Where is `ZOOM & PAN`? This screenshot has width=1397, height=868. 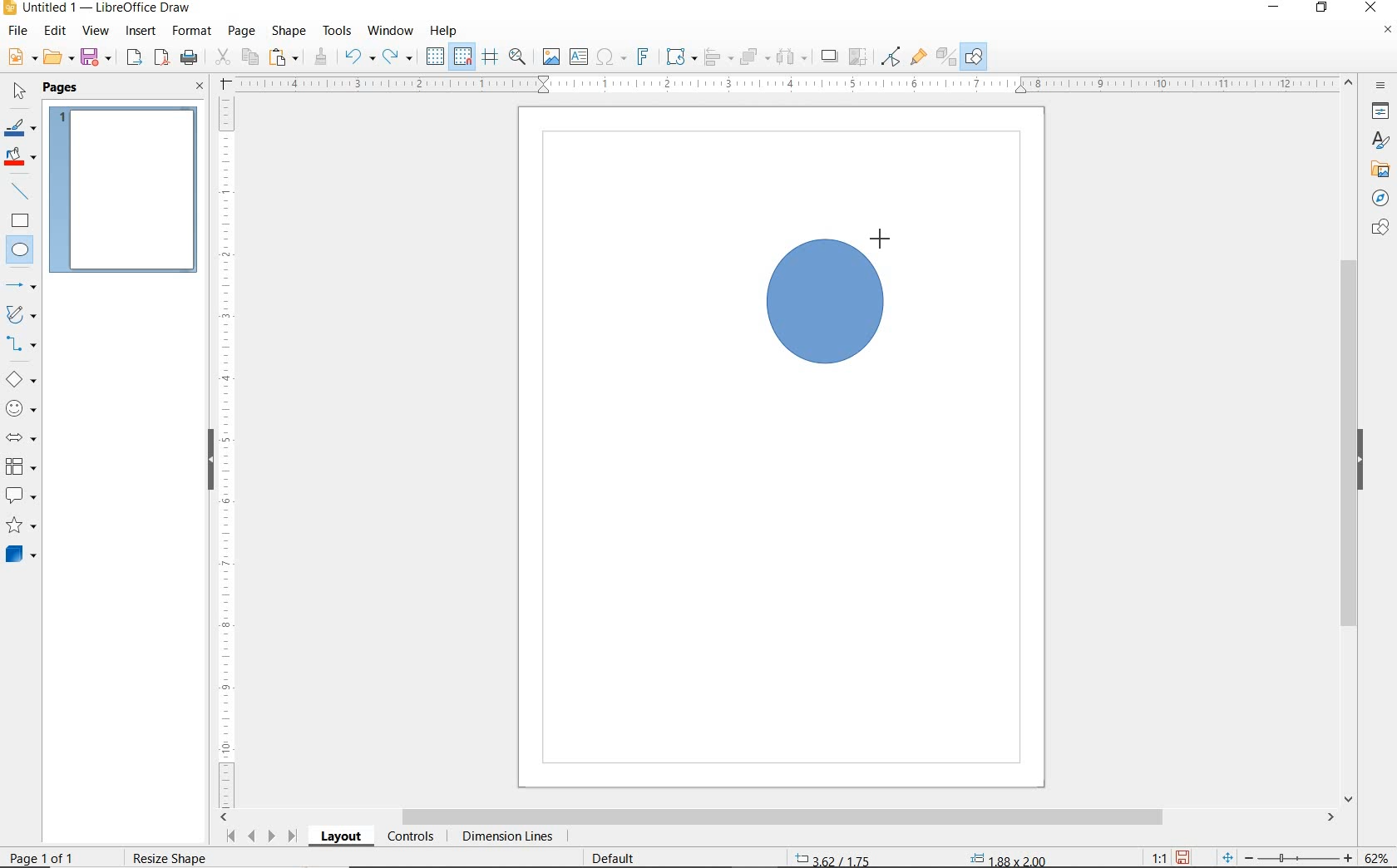 ZOOM & PAN is located at coordinates (517, 56).